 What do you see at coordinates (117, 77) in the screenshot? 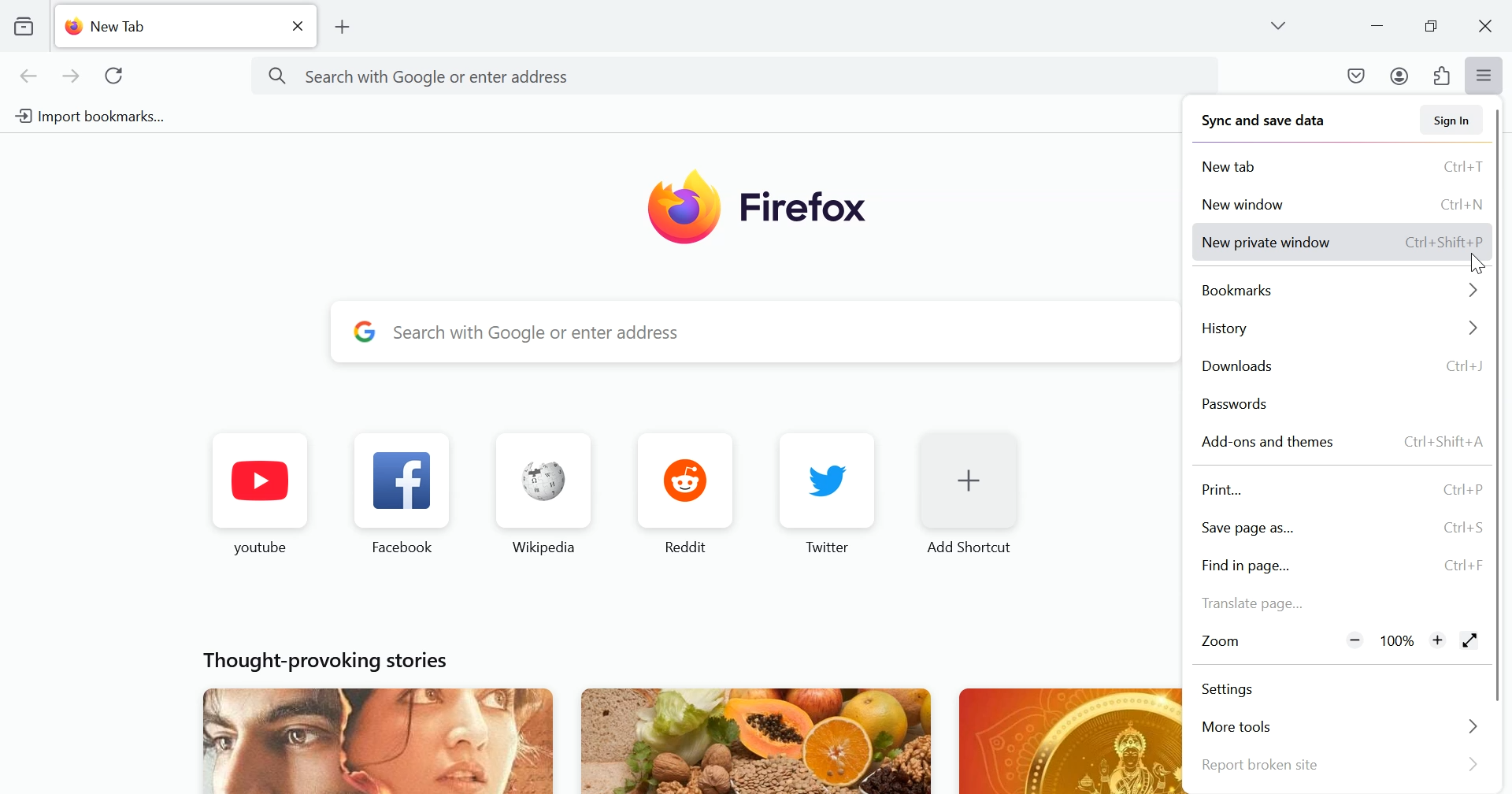
I see `Reload ` at bounding box center [117, 77].